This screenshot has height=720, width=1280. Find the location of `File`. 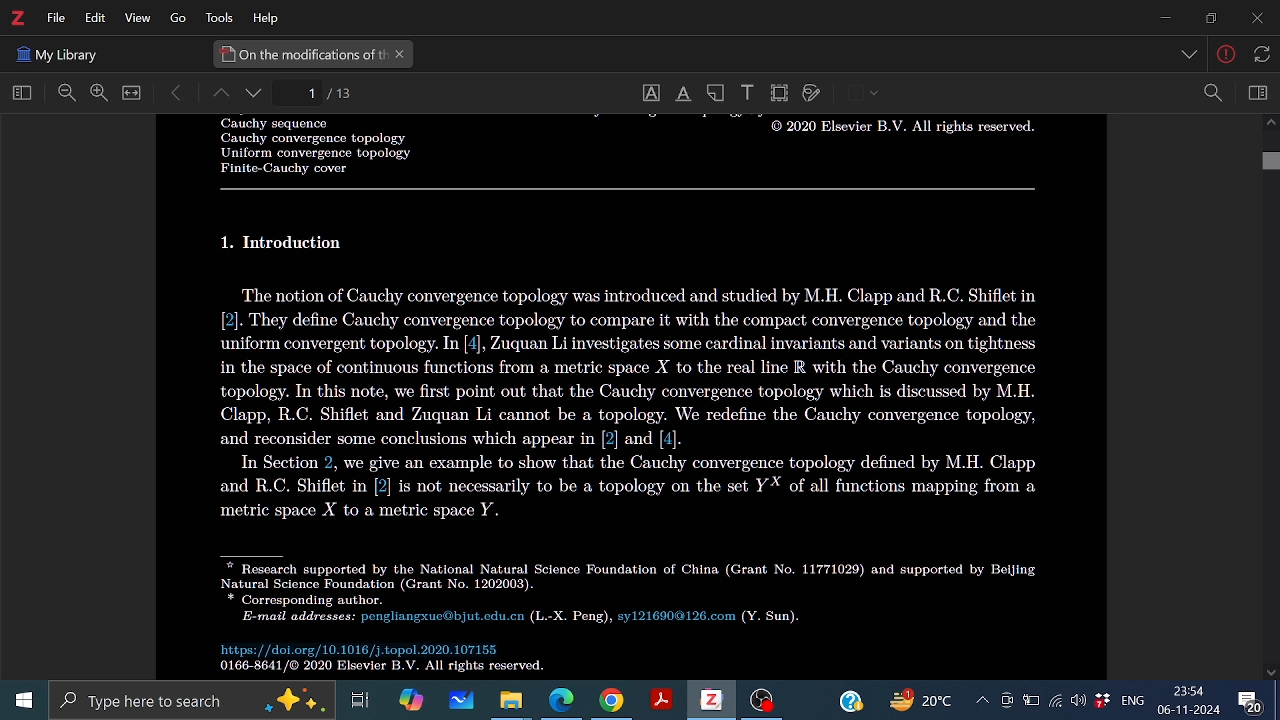

File is located at coordinates (56, 18).